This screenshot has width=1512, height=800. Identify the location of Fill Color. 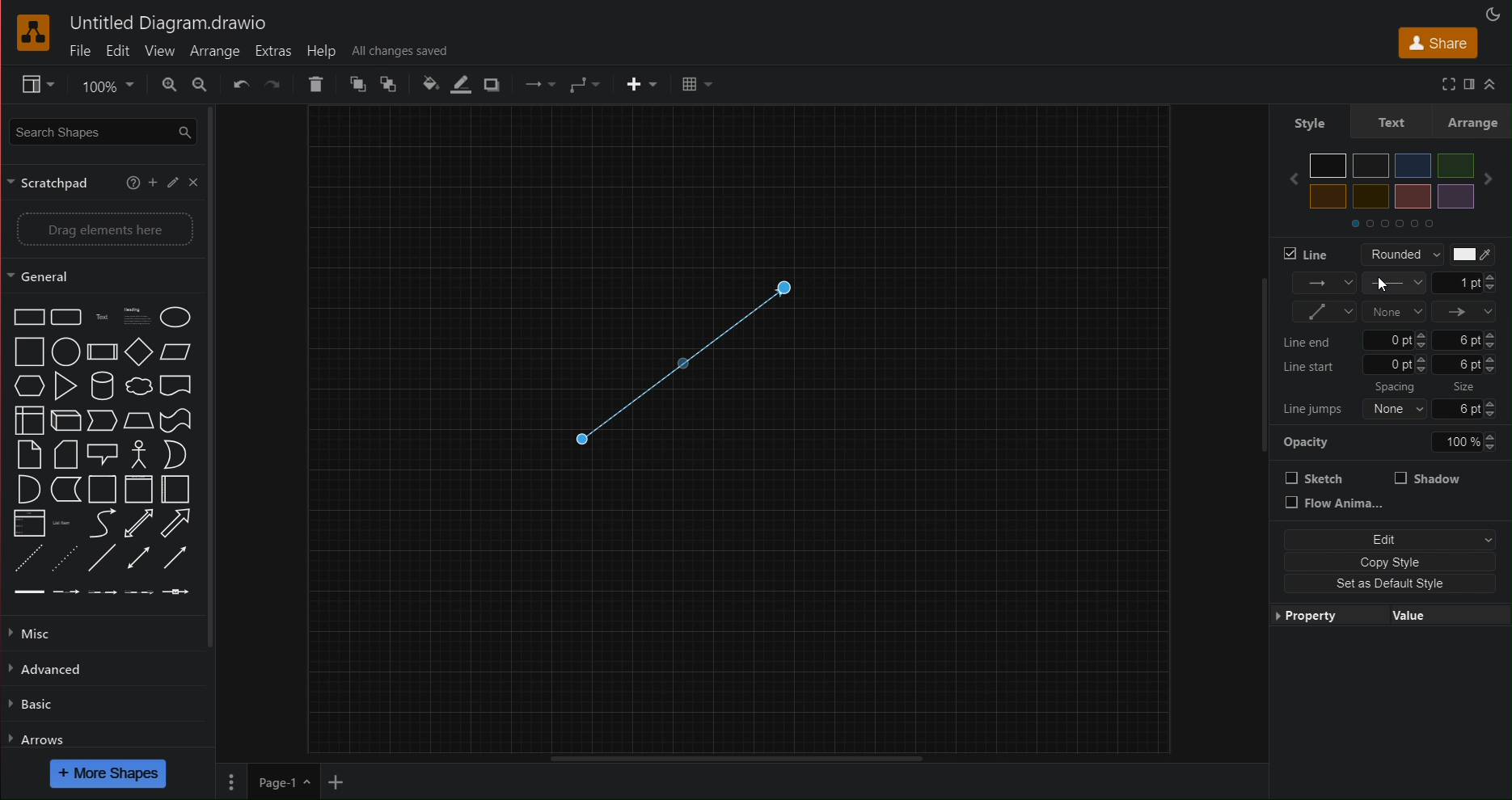
(424, 84).